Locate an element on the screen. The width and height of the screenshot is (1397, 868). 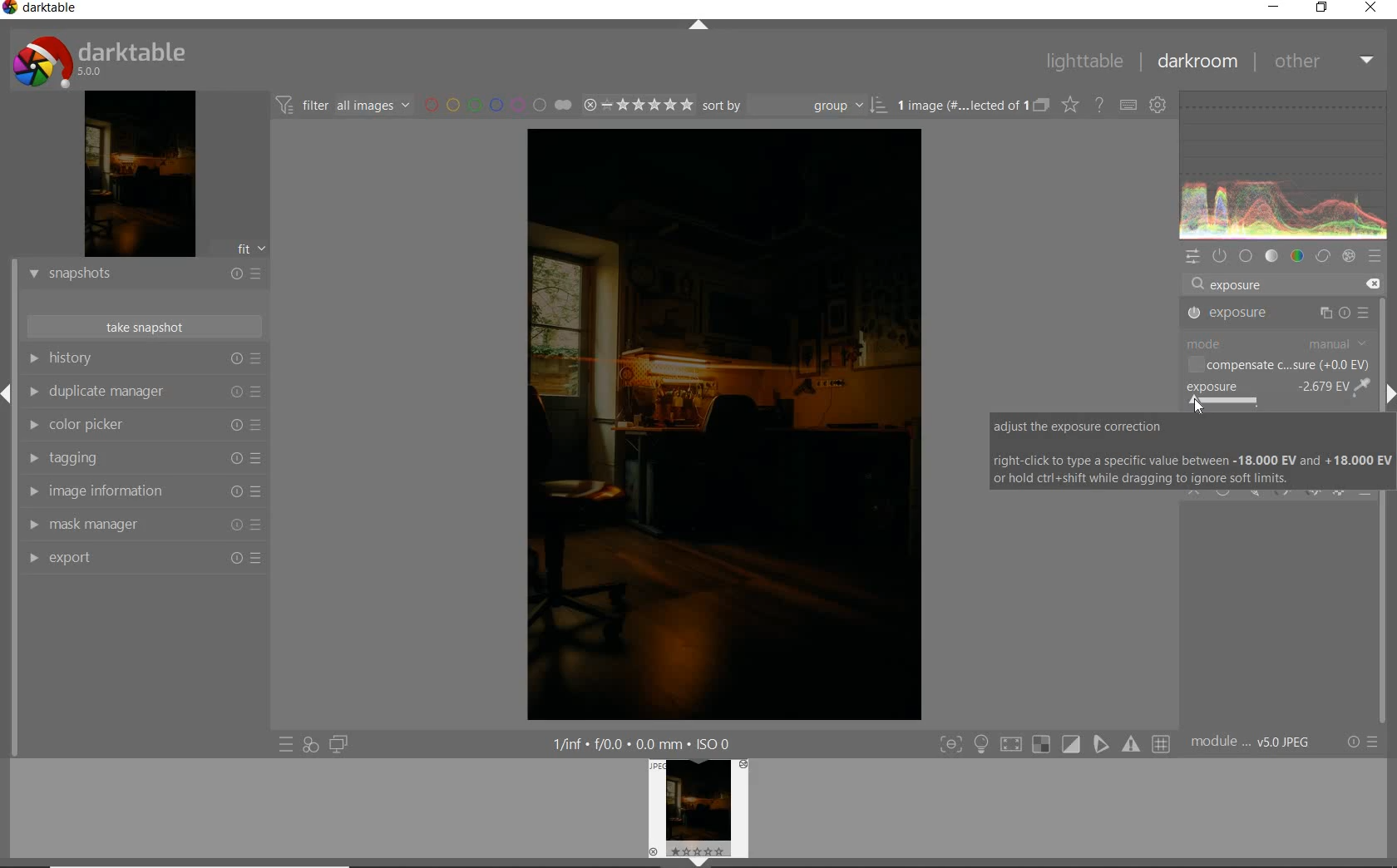
other display information is located at coordinates (640, 744).